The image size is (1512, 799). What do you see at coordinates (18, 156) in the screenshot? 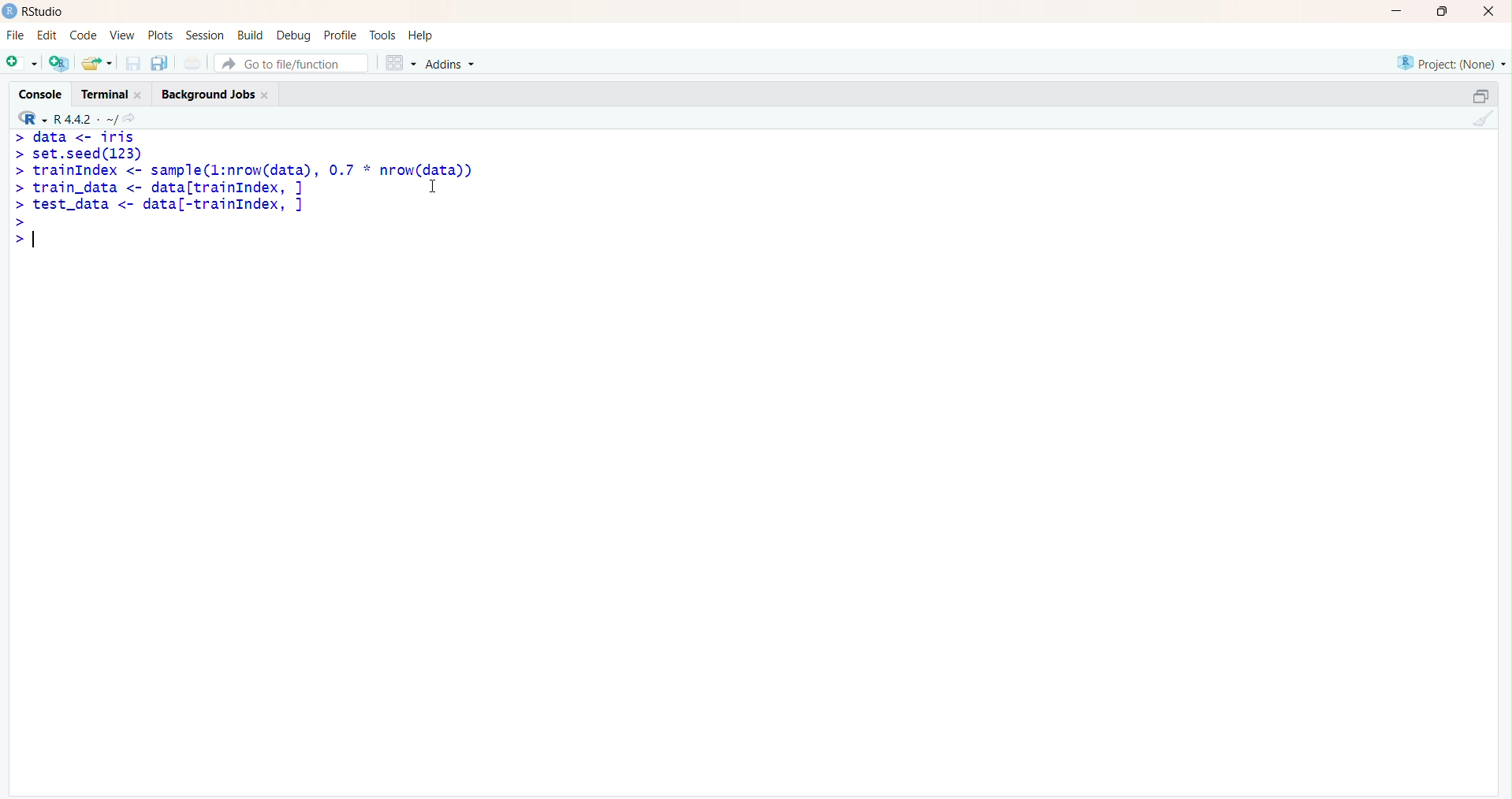
I see `Prompt cursor` at bounding box center [18, 156].